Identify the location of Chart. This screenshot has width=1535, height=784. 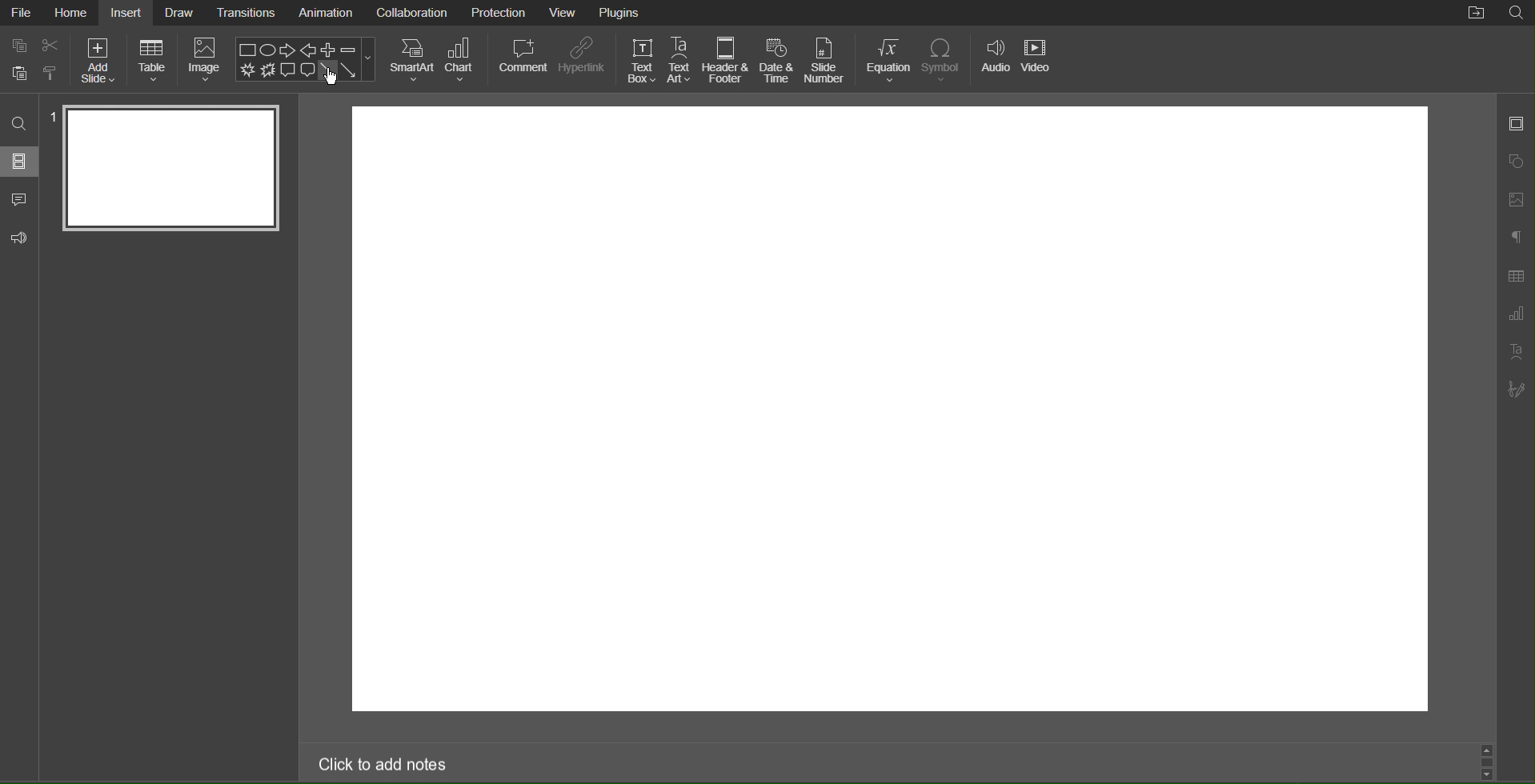
(464, 60).